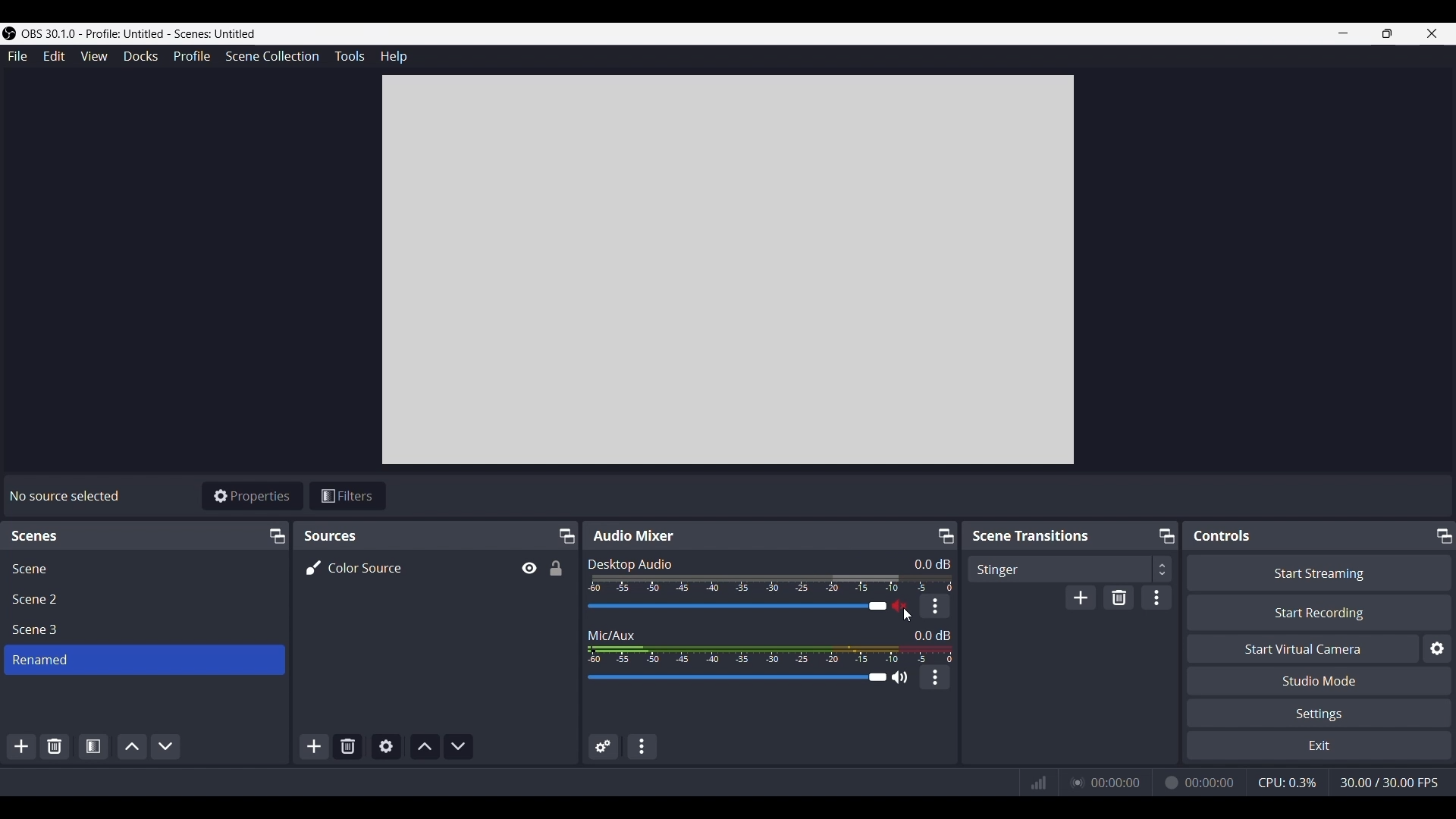 This screenshot has width=1456, height=819. Describe the element at coordinates (1319, 573) in the screenshot. I see `Start streaming` at that location.